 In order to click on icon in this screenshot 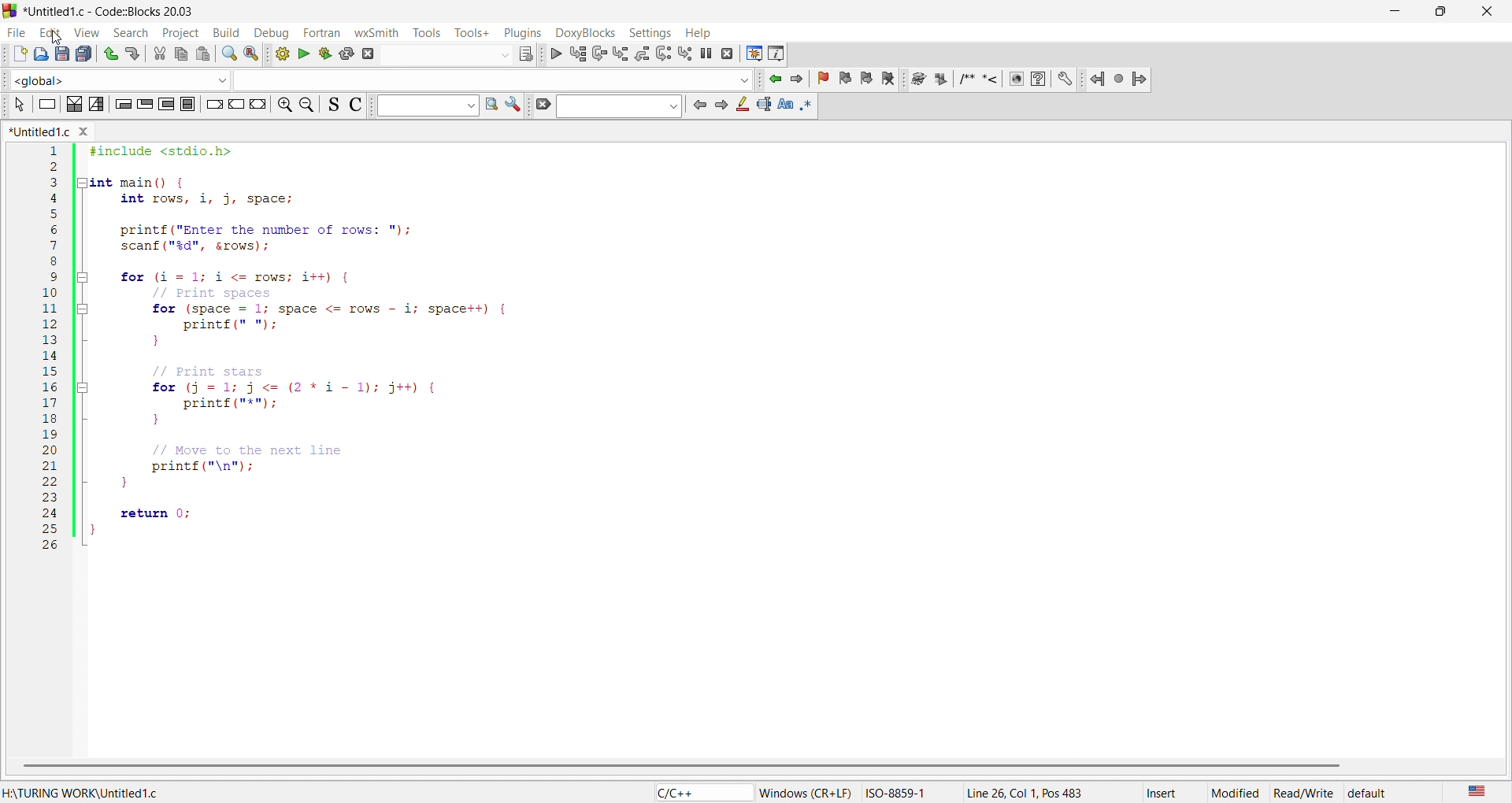, I will do `click(542, 105)`.